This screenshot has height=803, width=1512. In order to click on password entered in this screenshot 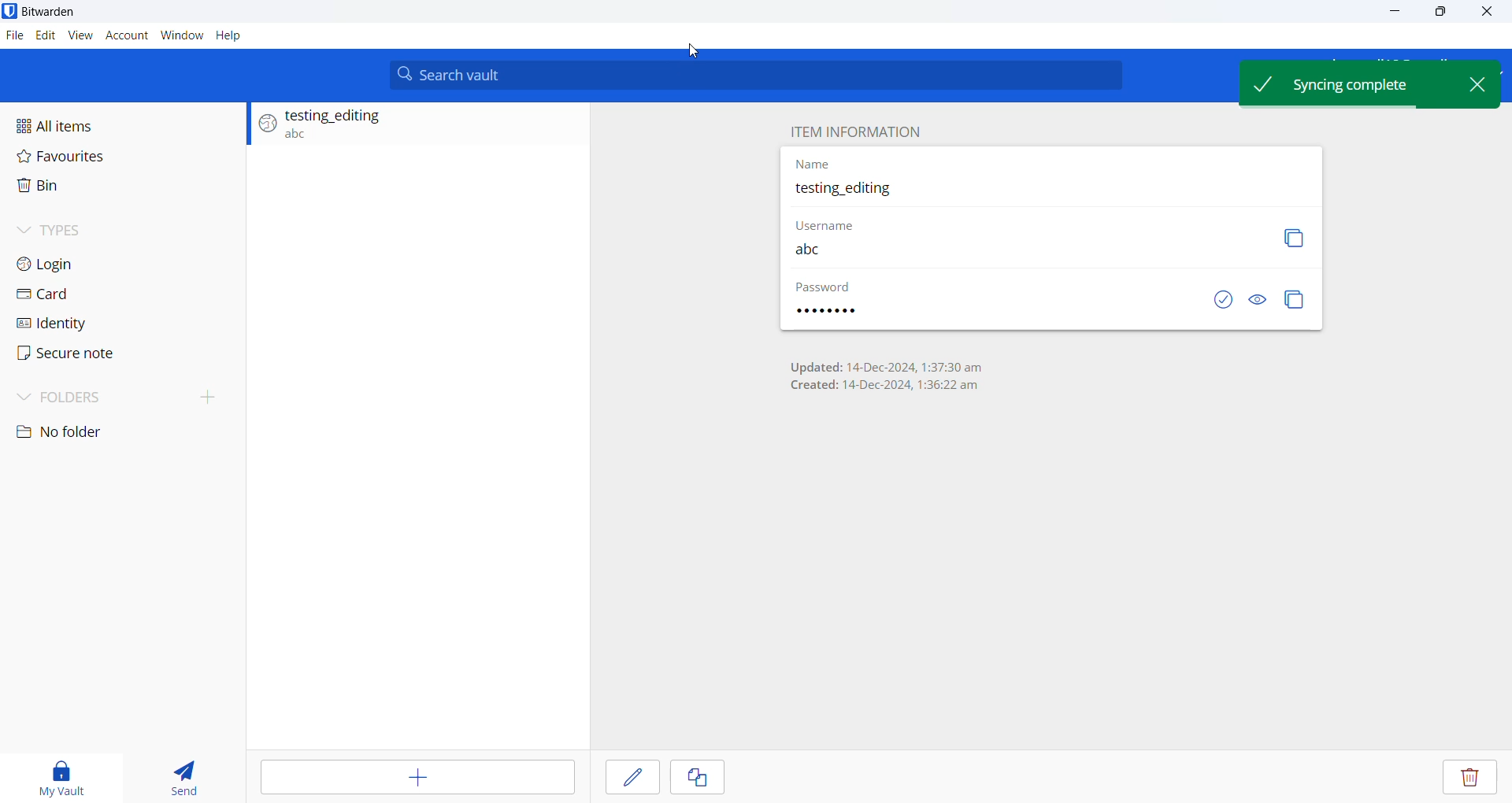, I will do `click(839, 312)`.